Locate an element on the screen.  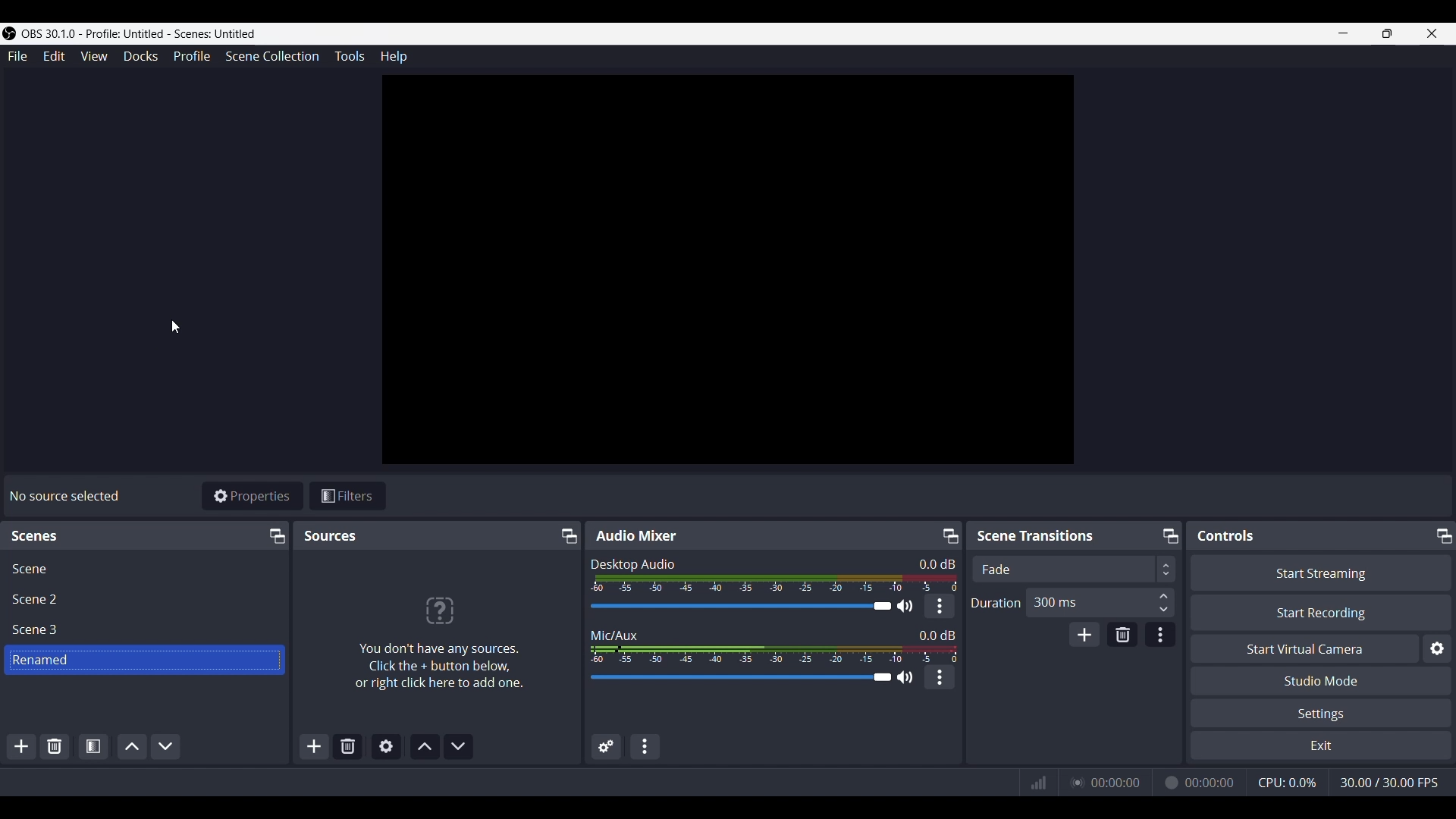
Studio Mode is located at coordinates (1322, 680).